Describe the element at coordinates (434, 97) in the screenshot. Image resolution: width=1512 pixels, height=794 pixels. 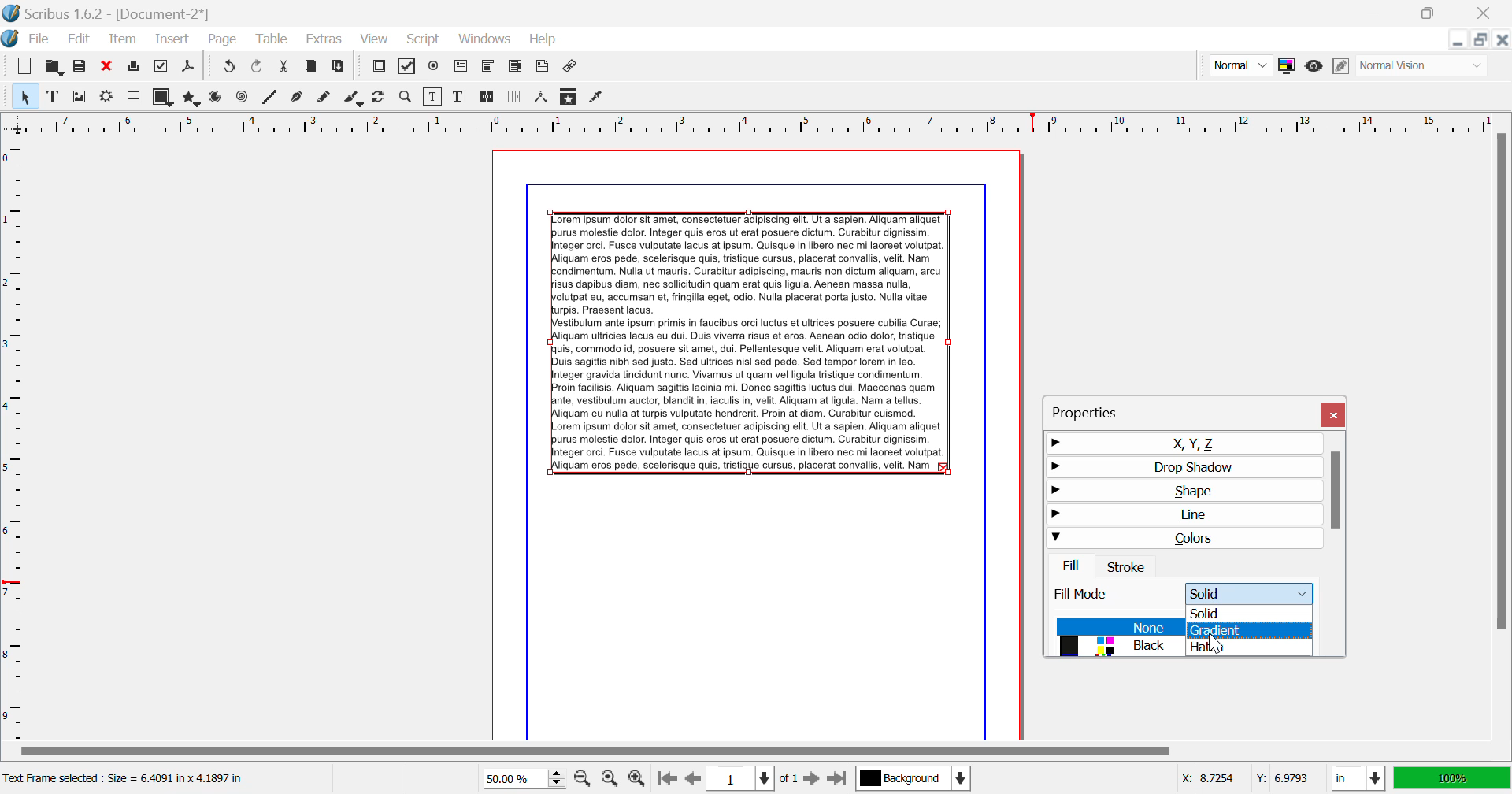
I see `Edit Contents of Frame` at that location.